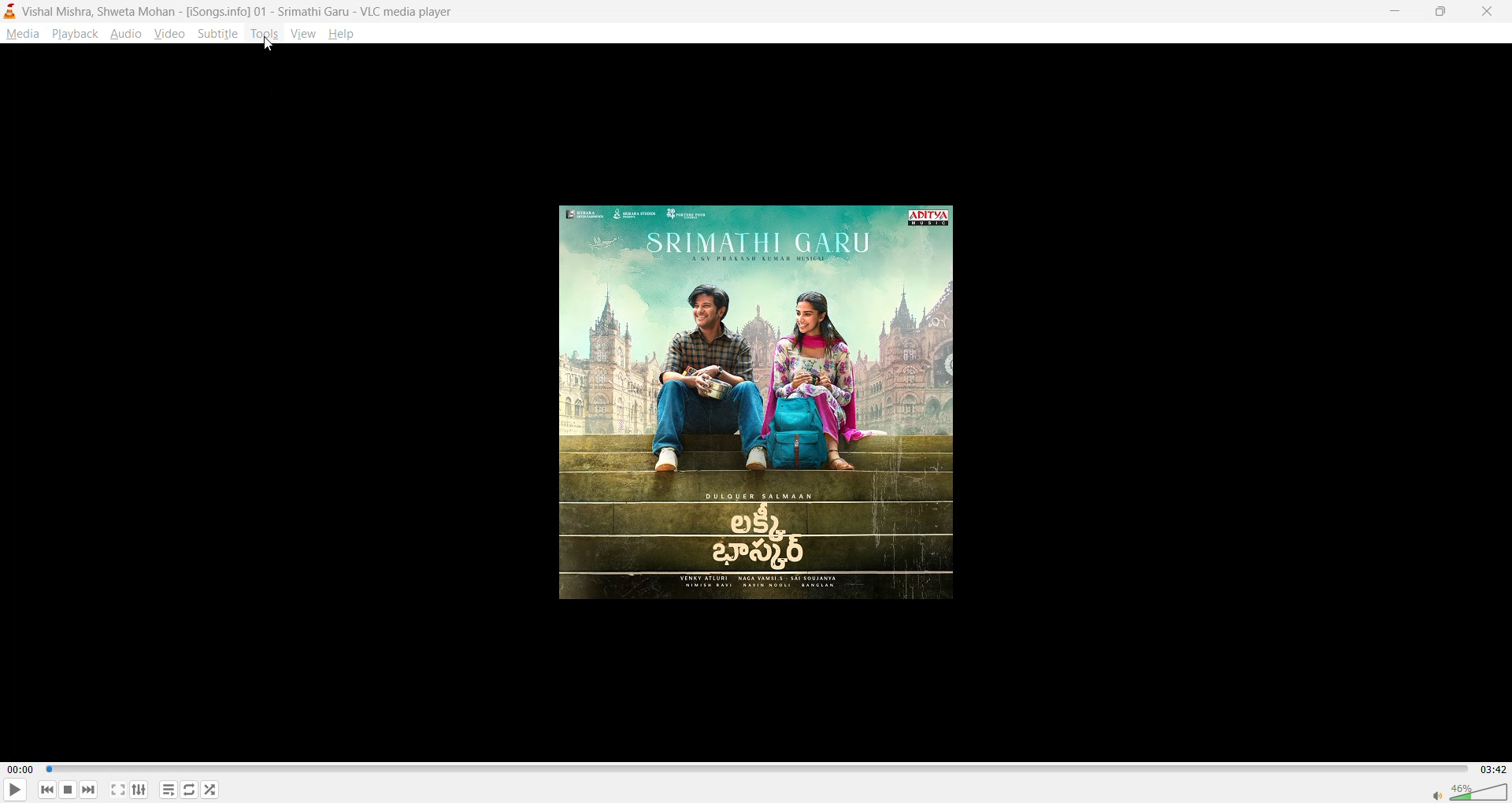 This screenshot has height=803, width=1512. Describe the element at coordinates (22, 34) in the screenshot. I see `media` at that location.